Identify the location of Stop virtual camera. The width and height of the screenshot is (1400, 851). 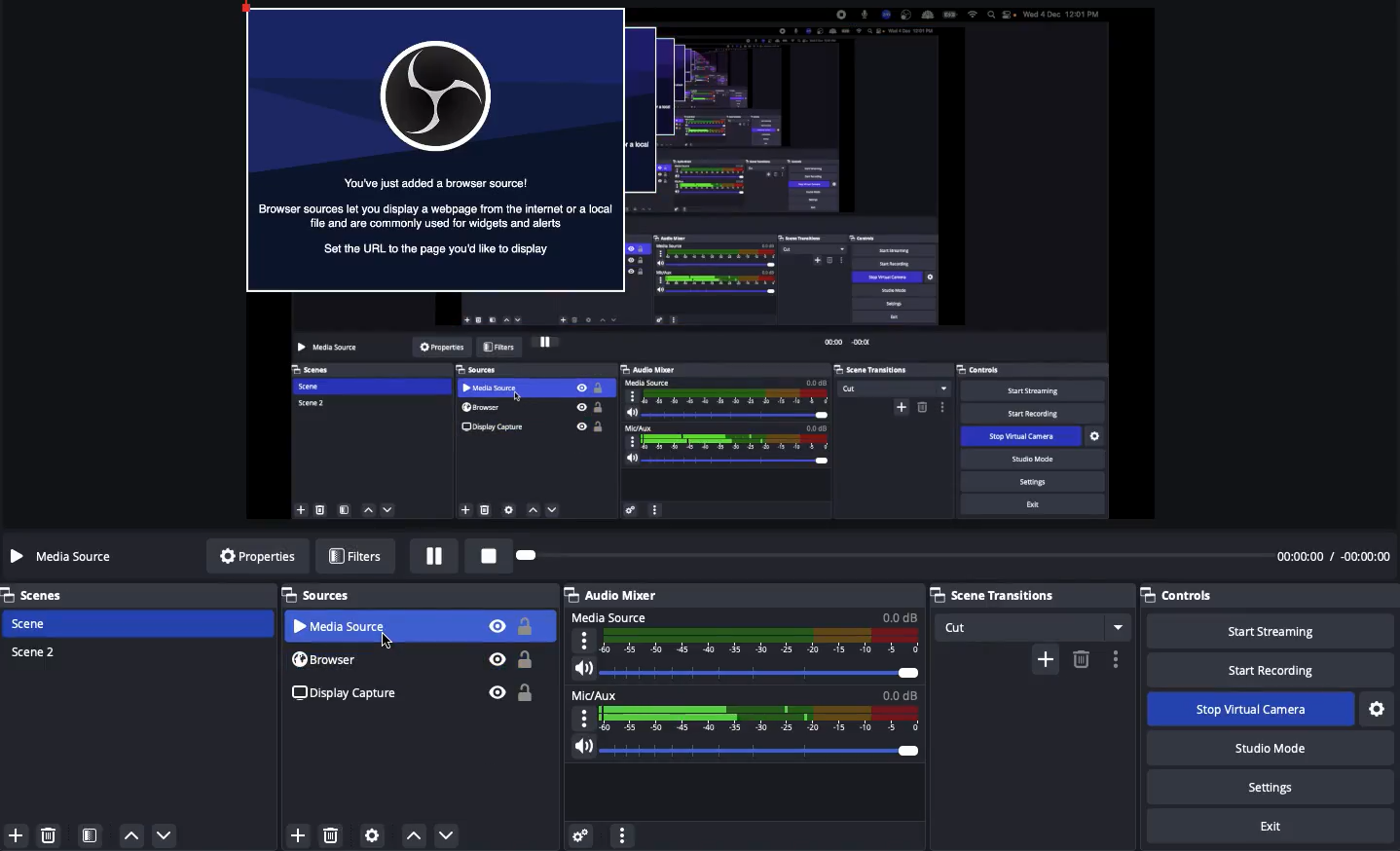
(1248, 710).